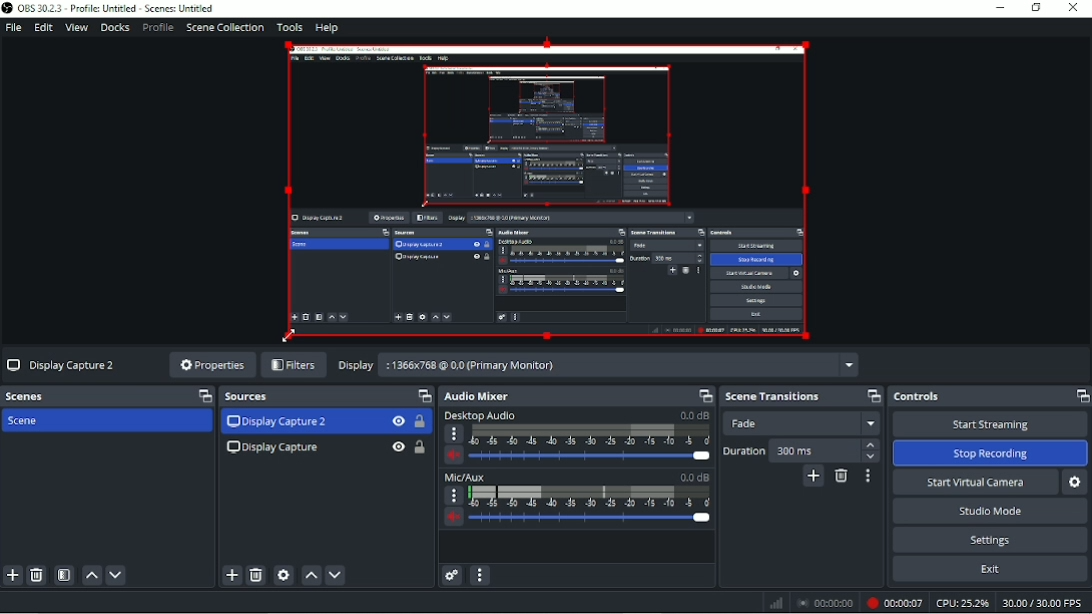 Image resolution: width=1092 pixels, height=614 pixels. Describe the element at coordinates (825, 603) in the screenshot. I see `00:00:00` at that location.